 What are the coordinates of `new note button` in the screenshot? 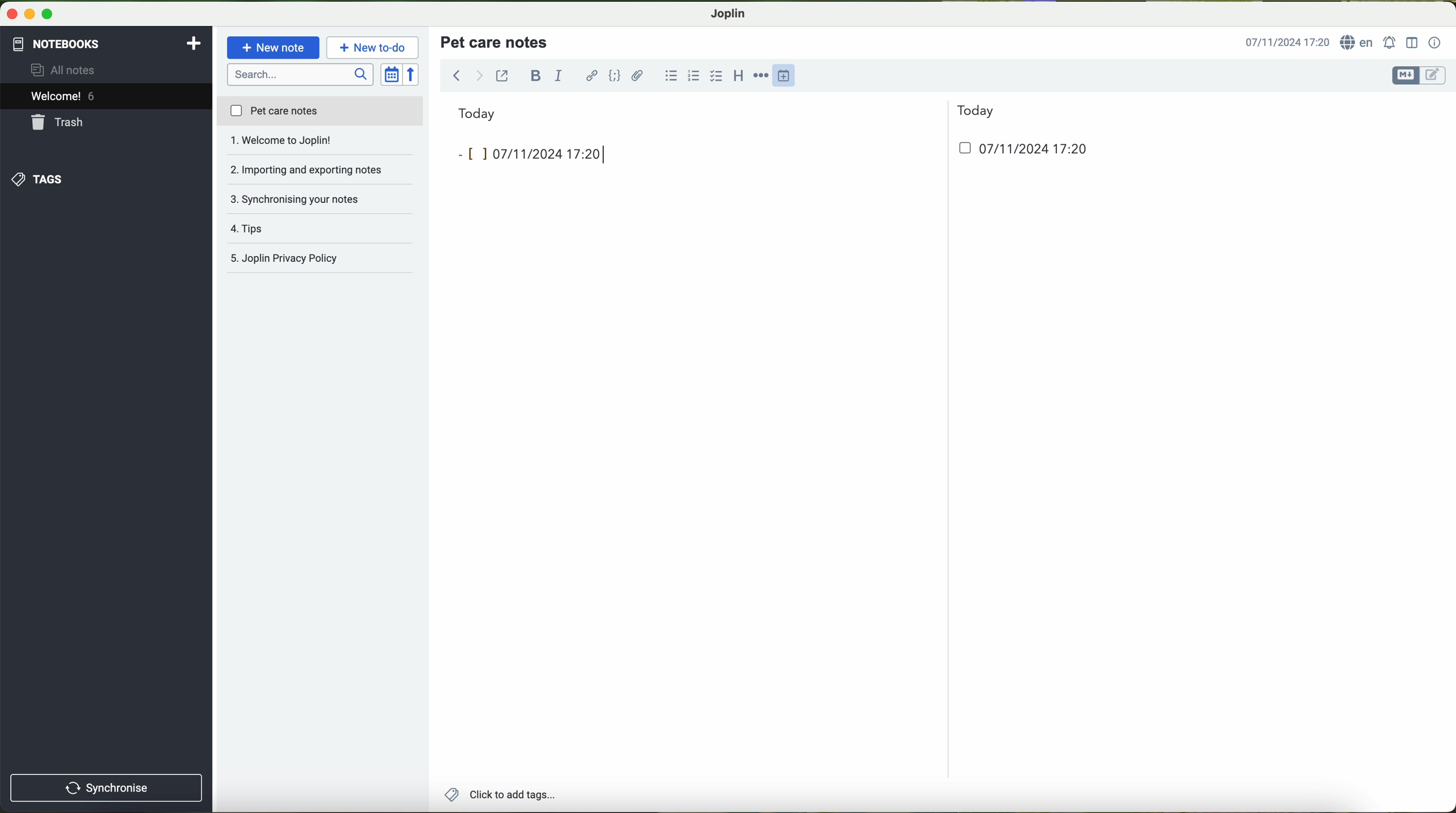 It's located at (274, 47).